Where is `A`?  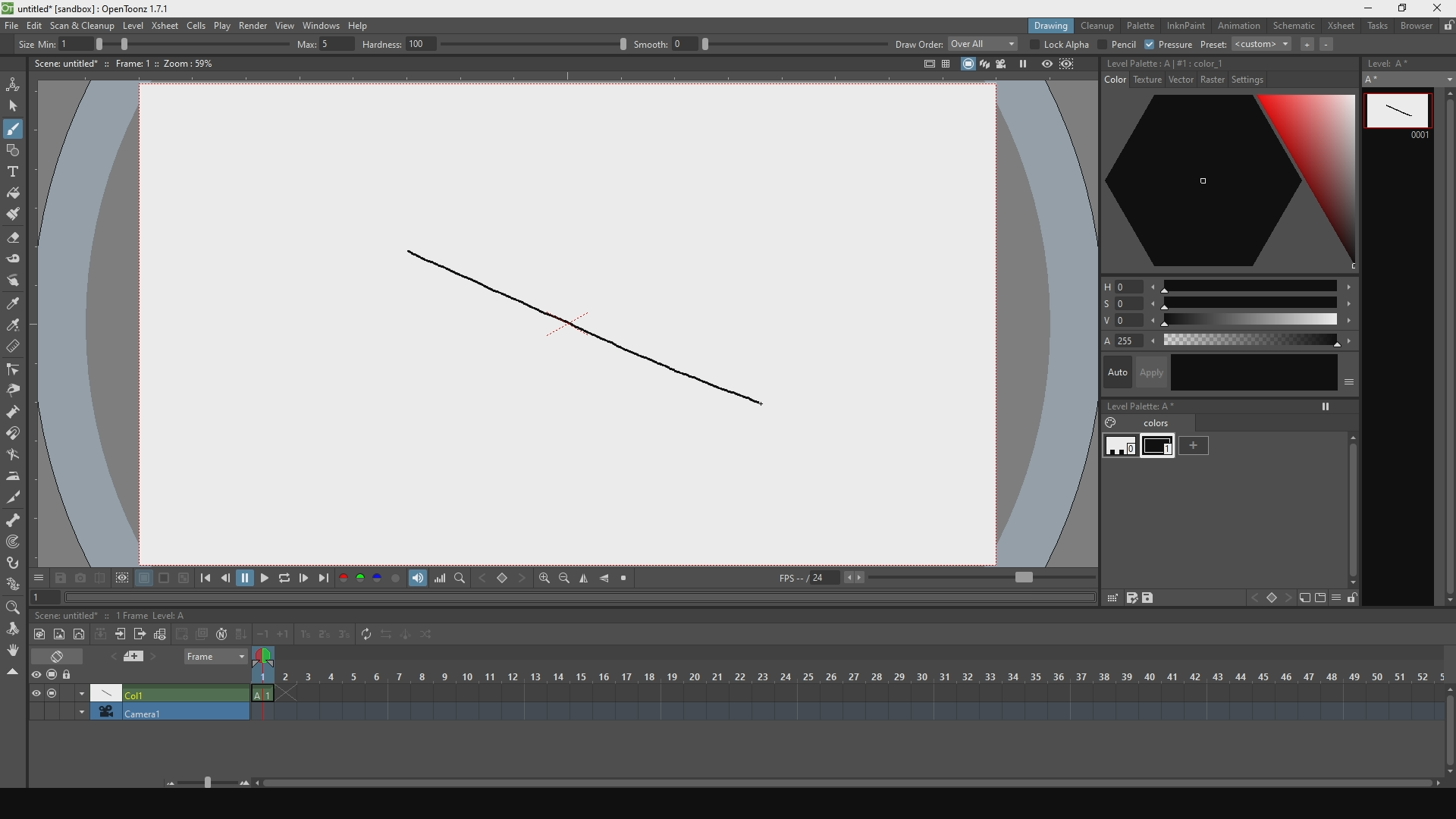
A is located at coordinates (1408, 80).